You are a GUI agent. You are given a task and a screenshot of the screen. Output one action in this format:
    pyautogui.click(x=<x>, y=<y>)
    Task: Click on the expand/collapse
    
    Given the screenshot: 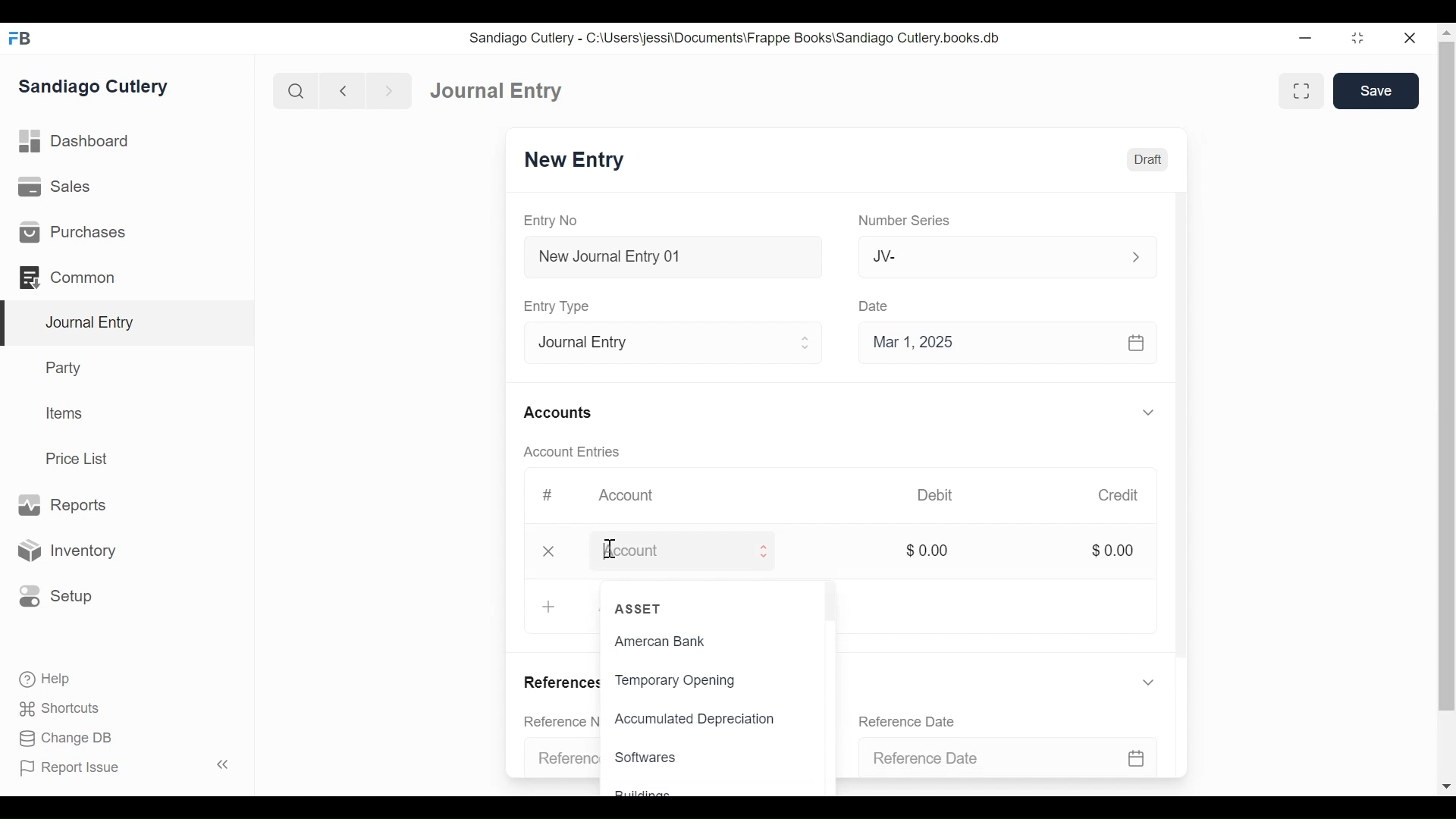 What is the action you would take?
    pyautogui.click(x=1157, y=682)
    